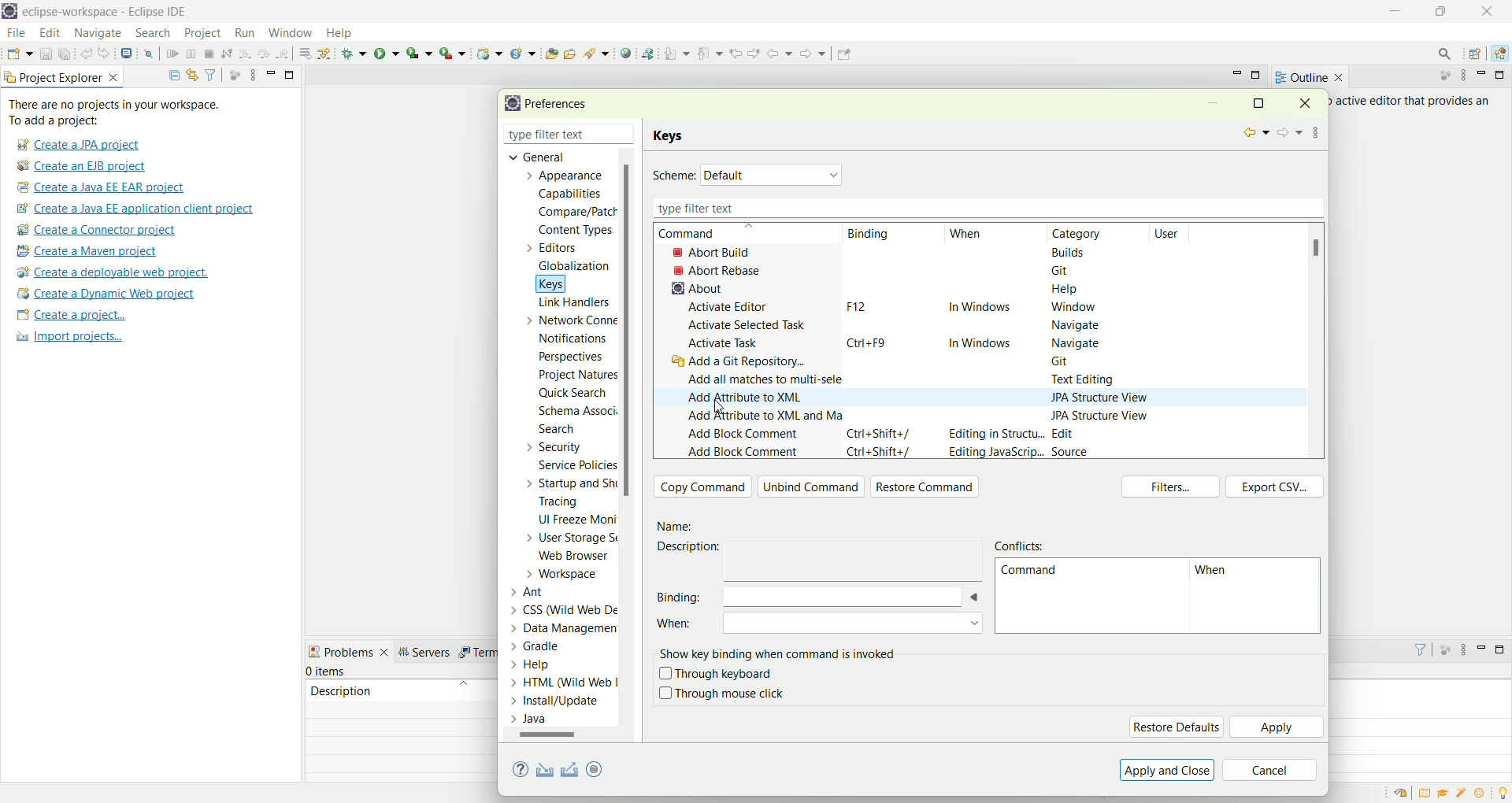  Describe the element at coordinates (597, 53) in the screenshot. I see `search` at that location.